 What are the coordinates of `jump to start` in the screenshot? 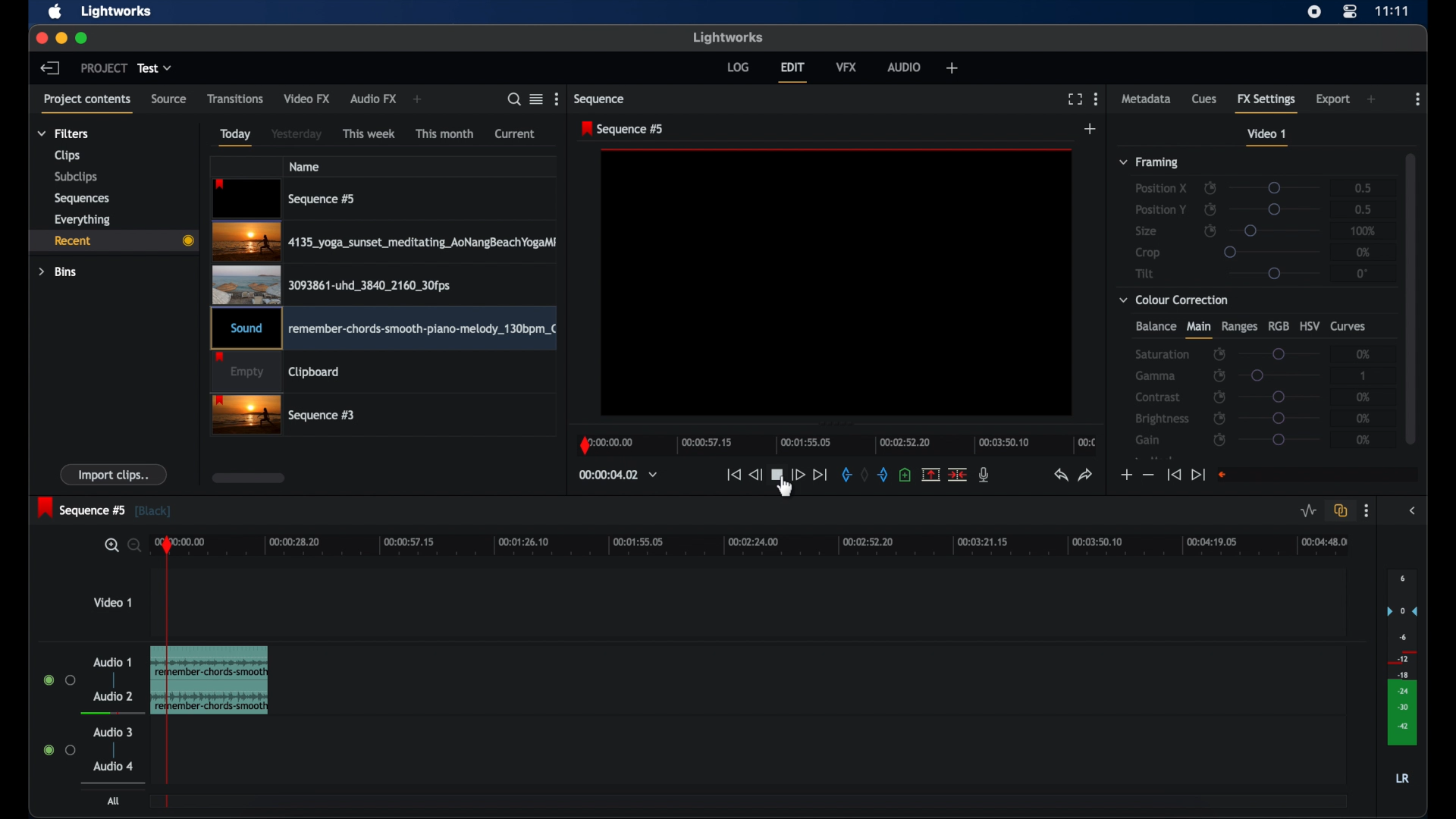 It's located at (733, 475).